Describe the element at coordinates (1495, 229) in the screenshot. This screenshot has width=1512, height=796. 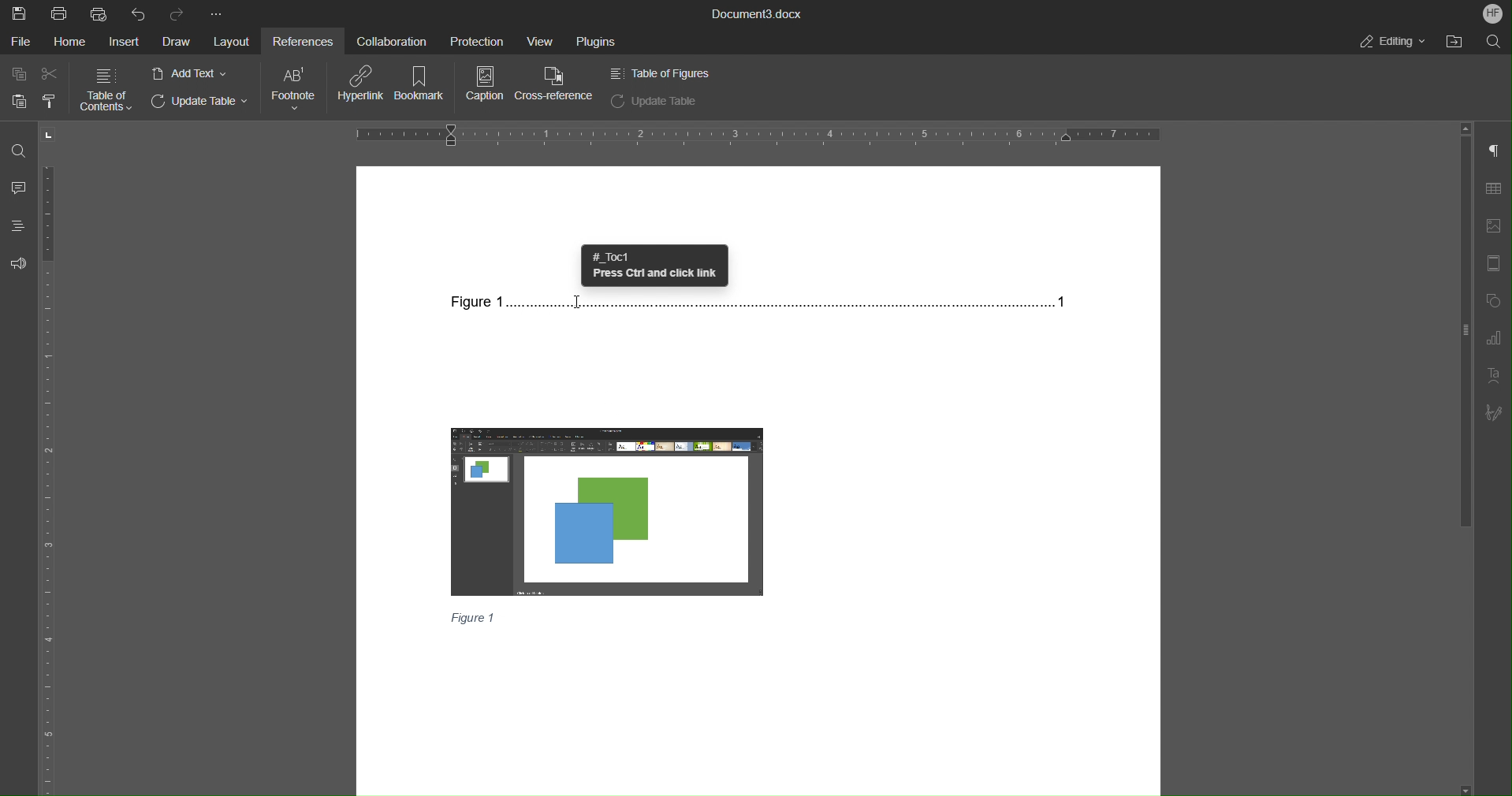
I see `Image Settings` at that location.